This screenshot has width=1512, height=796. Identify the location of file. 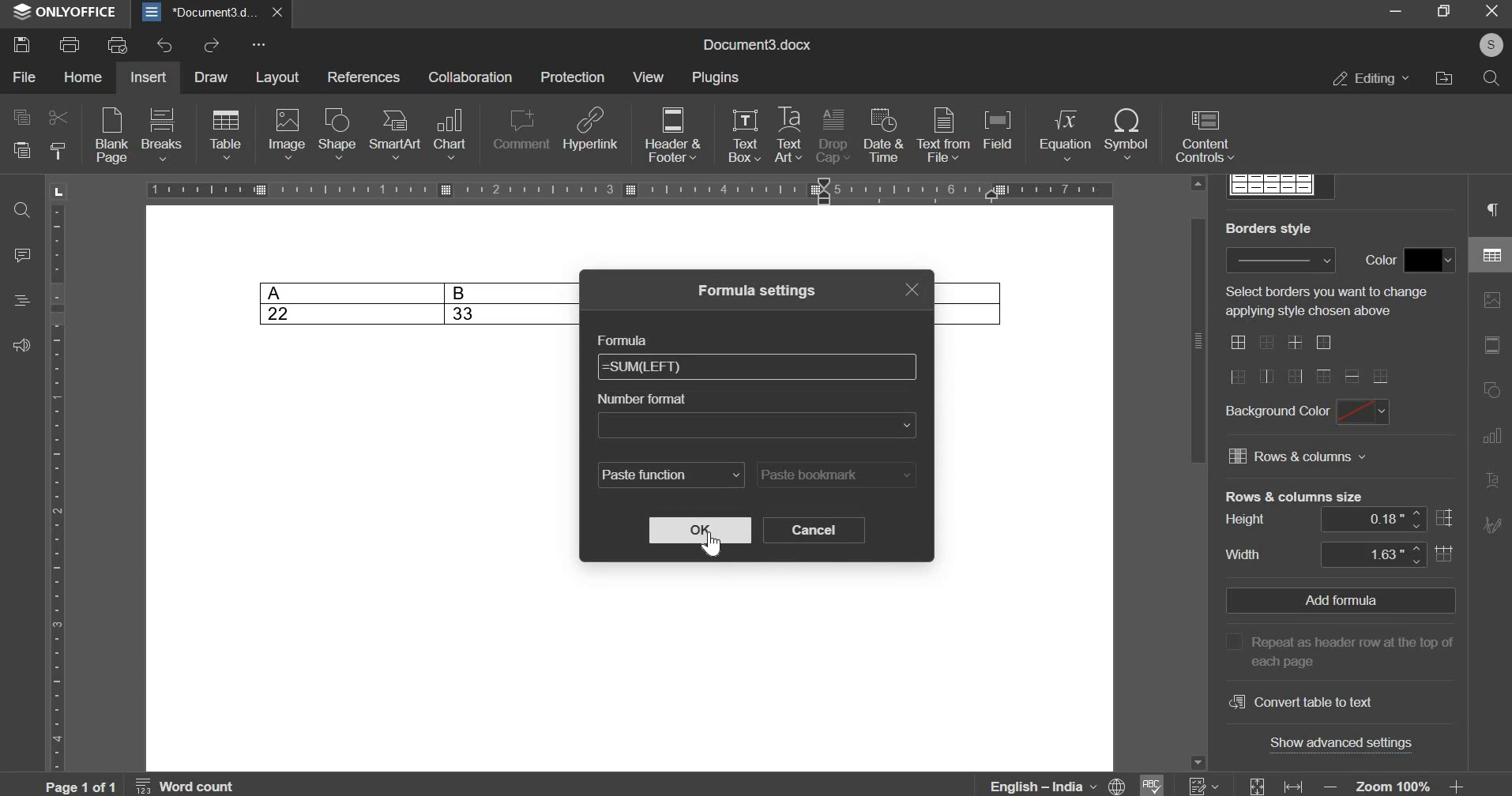
(23, 77).